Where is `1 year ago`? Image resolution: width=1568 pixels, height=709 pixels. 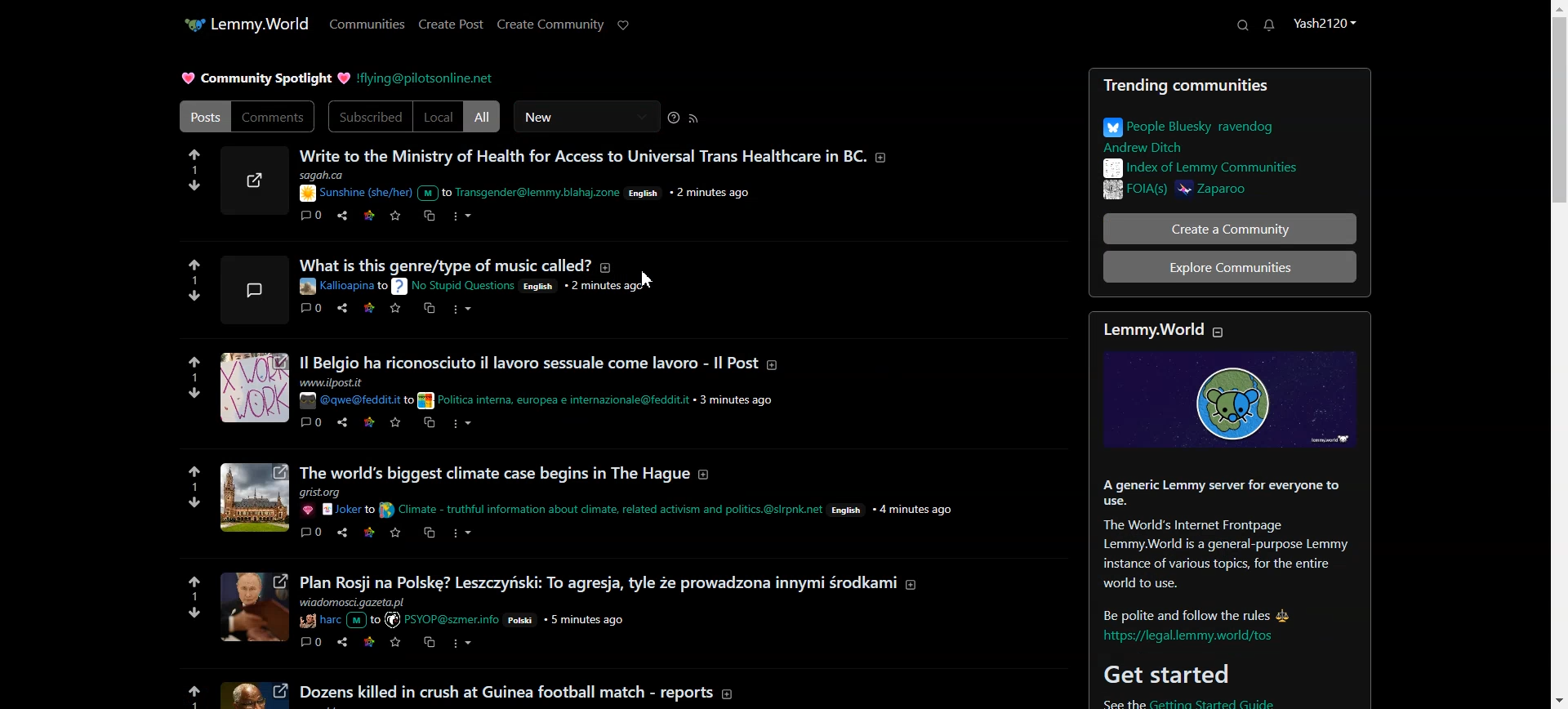 1 year ago is located at coordinates (740, 193).